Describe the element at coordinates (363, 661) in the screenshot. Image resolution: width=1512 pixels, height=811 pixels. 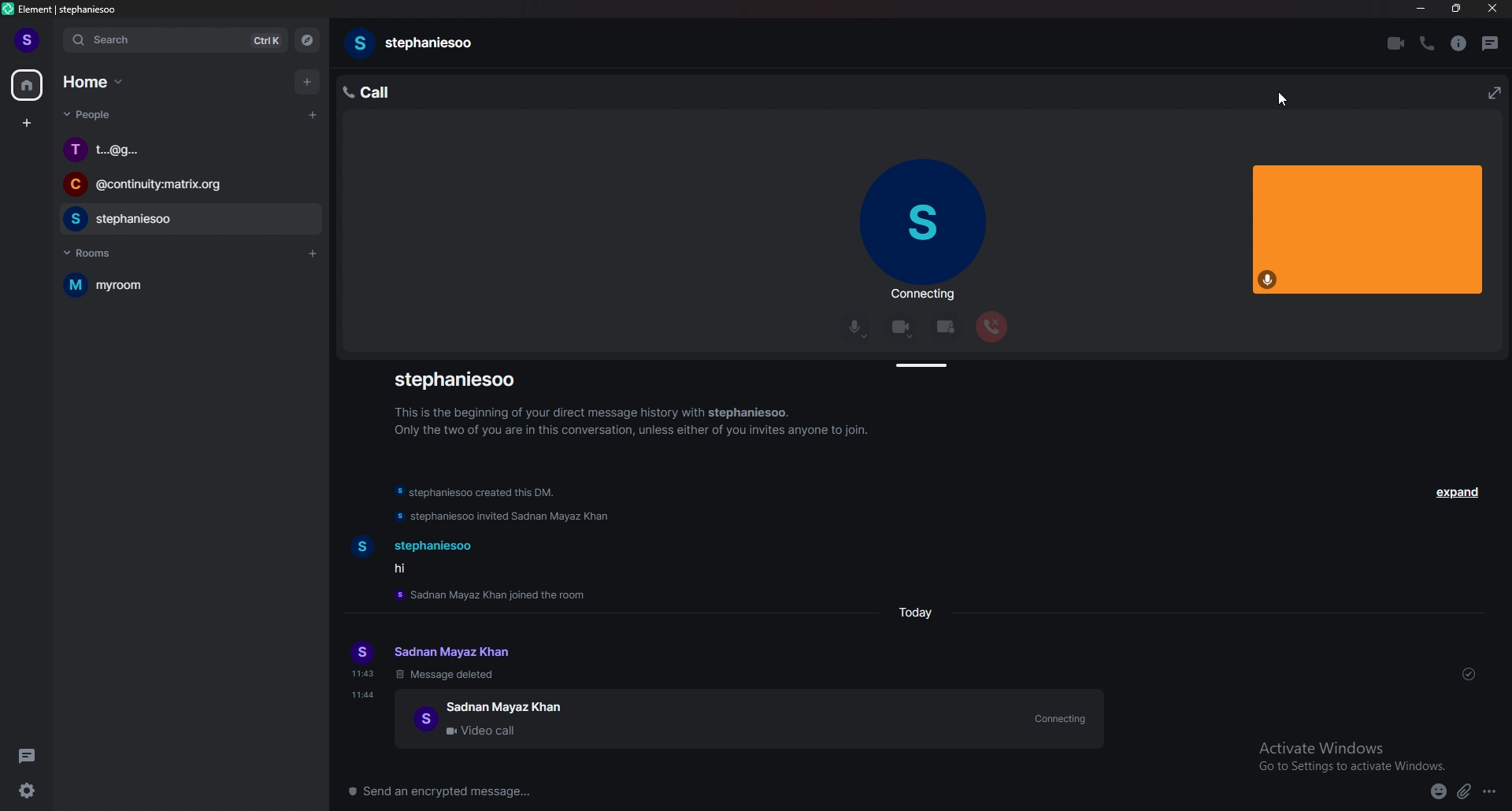
I see `user profile` at that location.